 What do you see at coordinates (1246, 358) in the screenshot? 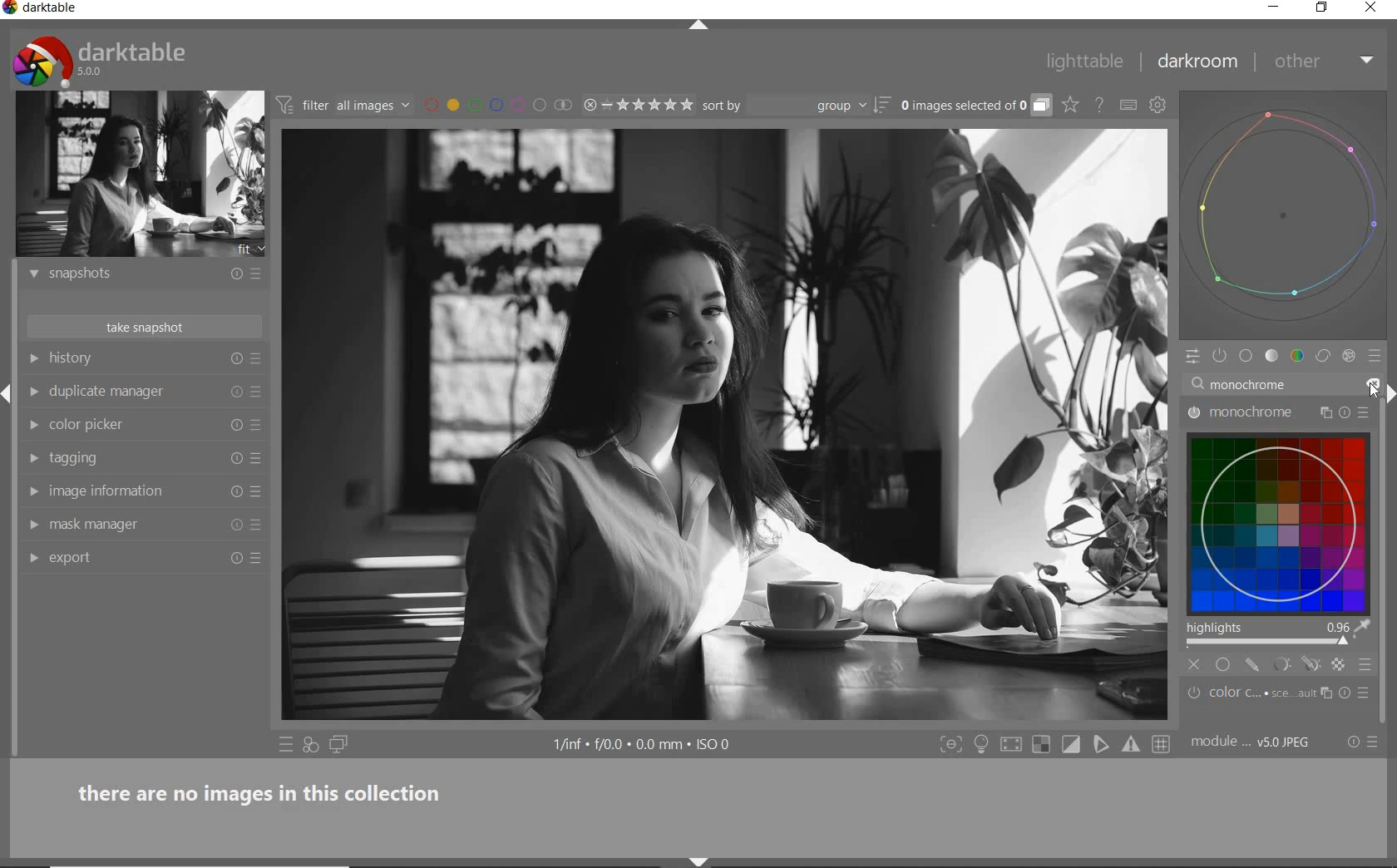
I see `base` at bounding box center [1246, 358].